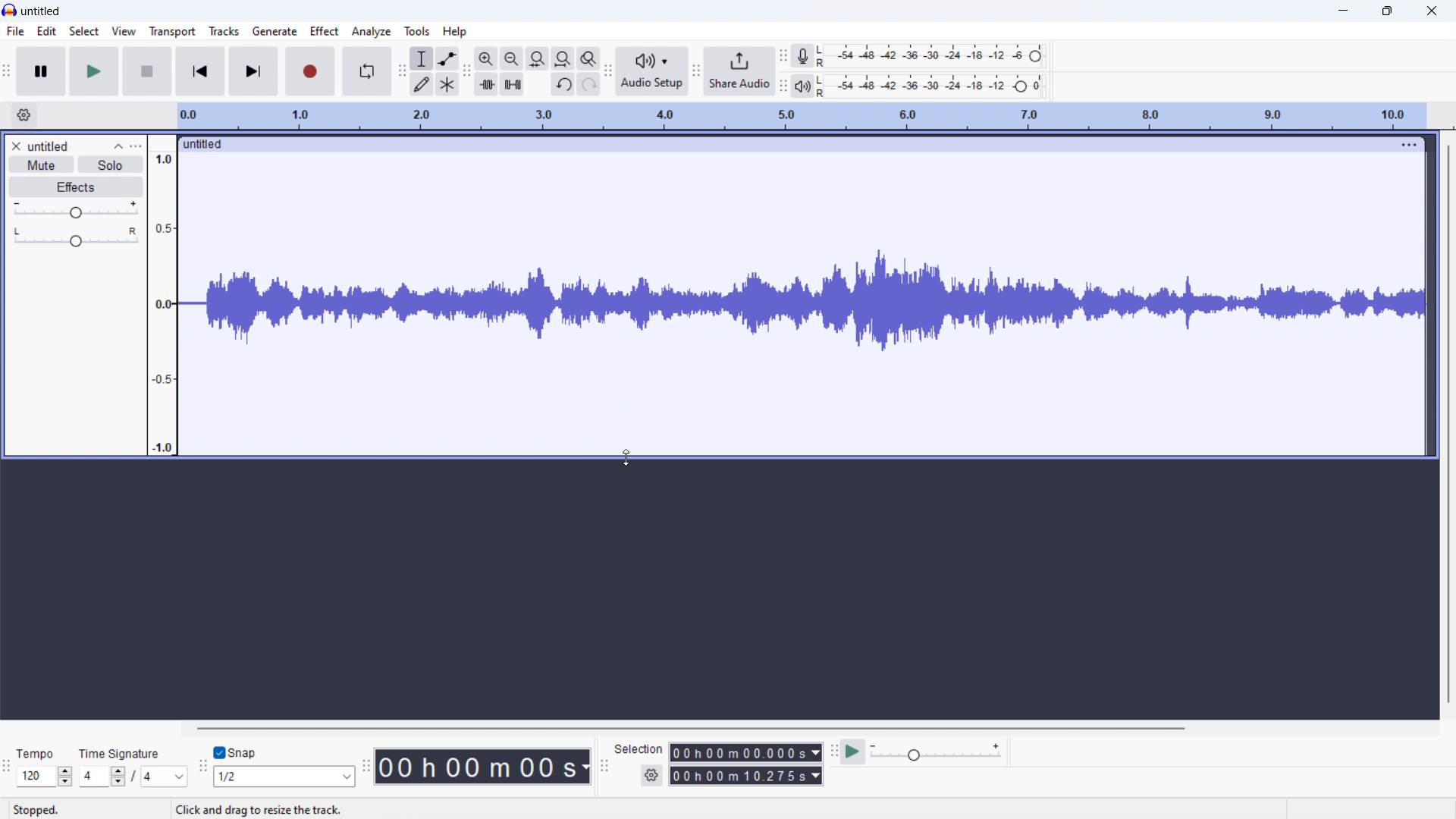 The height and width of the screenshot is (819, 1456). What do you see at coordinates (484, 766) in the screenshot?
I see `timestamp` at bounding box center [484, 766].